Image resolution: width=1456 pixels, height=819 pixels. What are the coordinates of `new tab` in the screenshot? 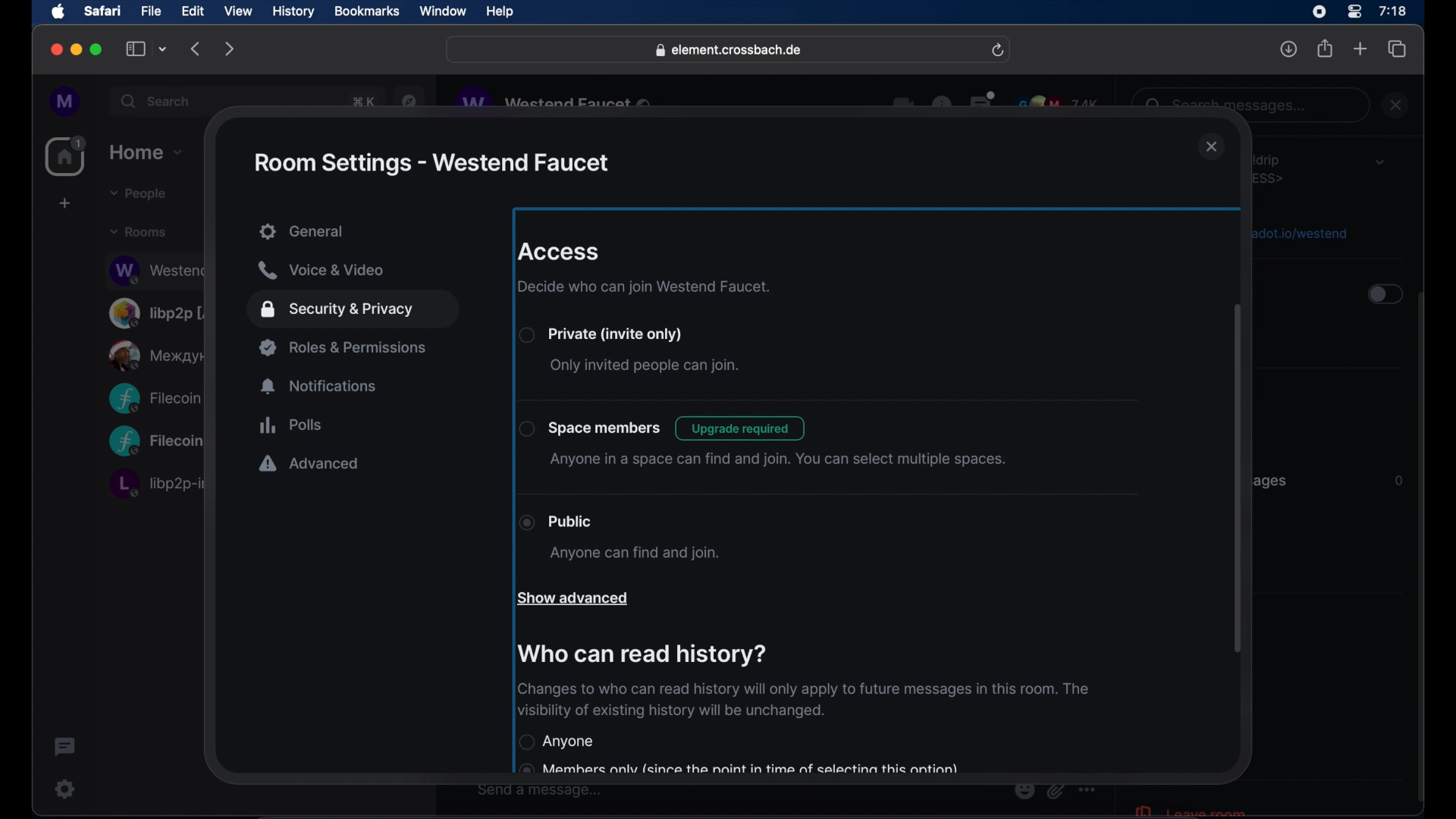 It's located at (1360, 48).